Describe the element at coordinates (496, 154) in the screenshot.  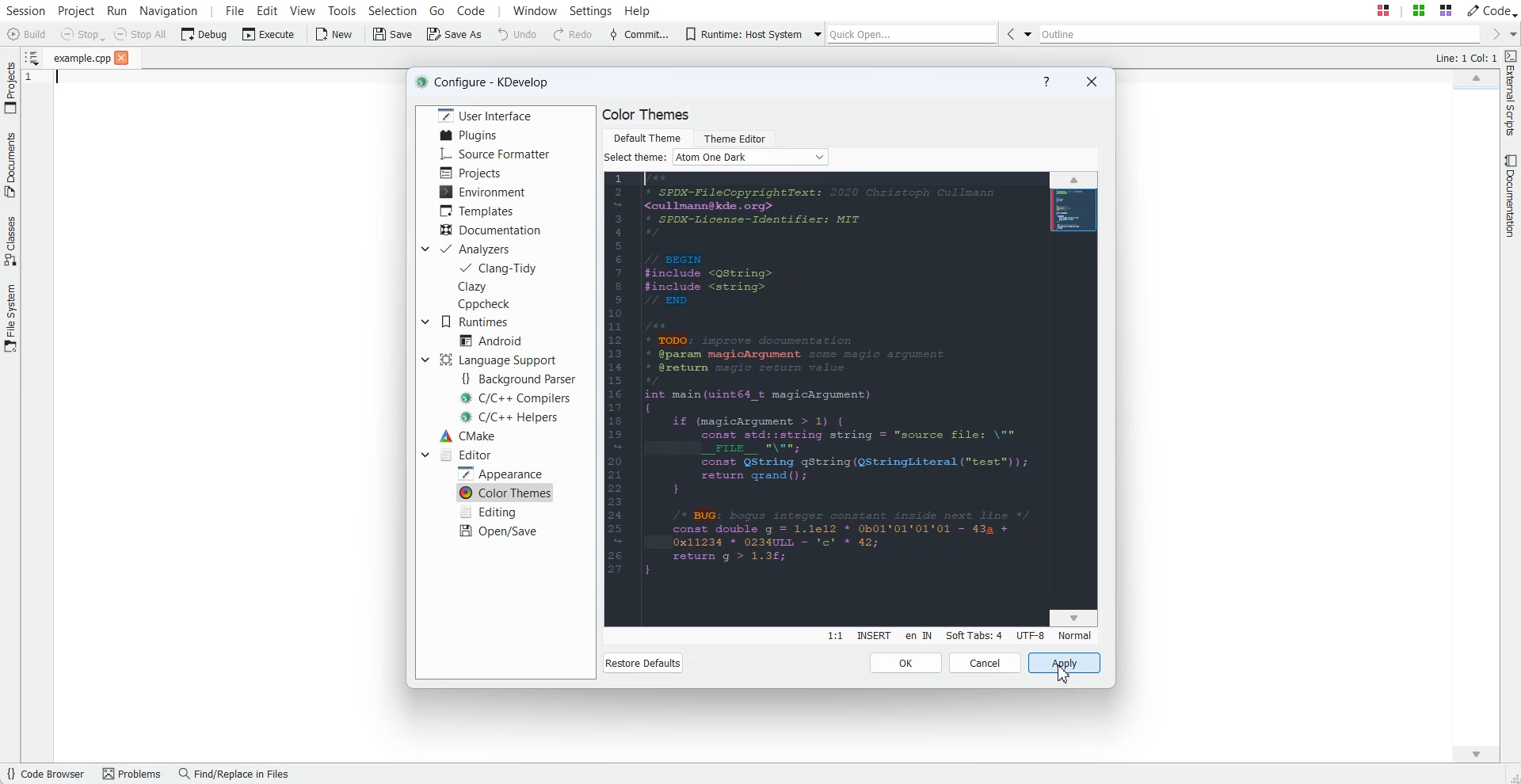
I see `Source Formatter` at that location.